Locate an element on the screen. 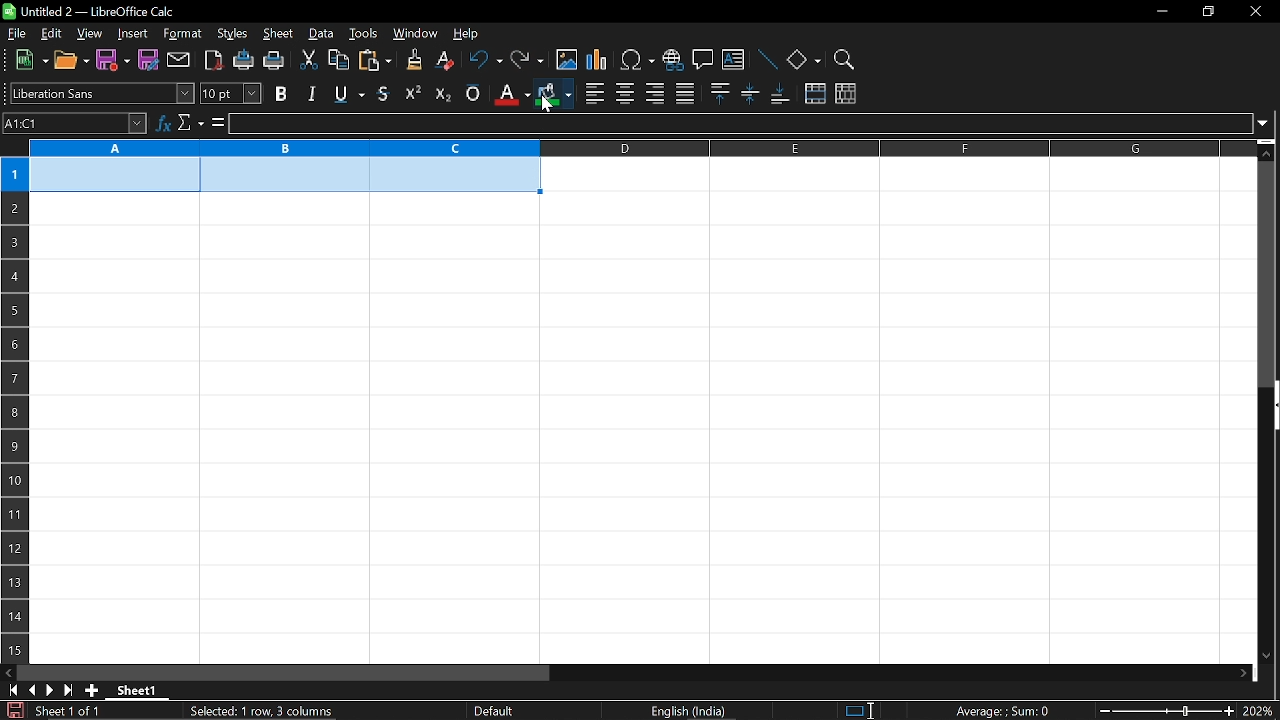 The height and width of the screenshot is (720, 1280). text color is located at coordinates (510, 94).